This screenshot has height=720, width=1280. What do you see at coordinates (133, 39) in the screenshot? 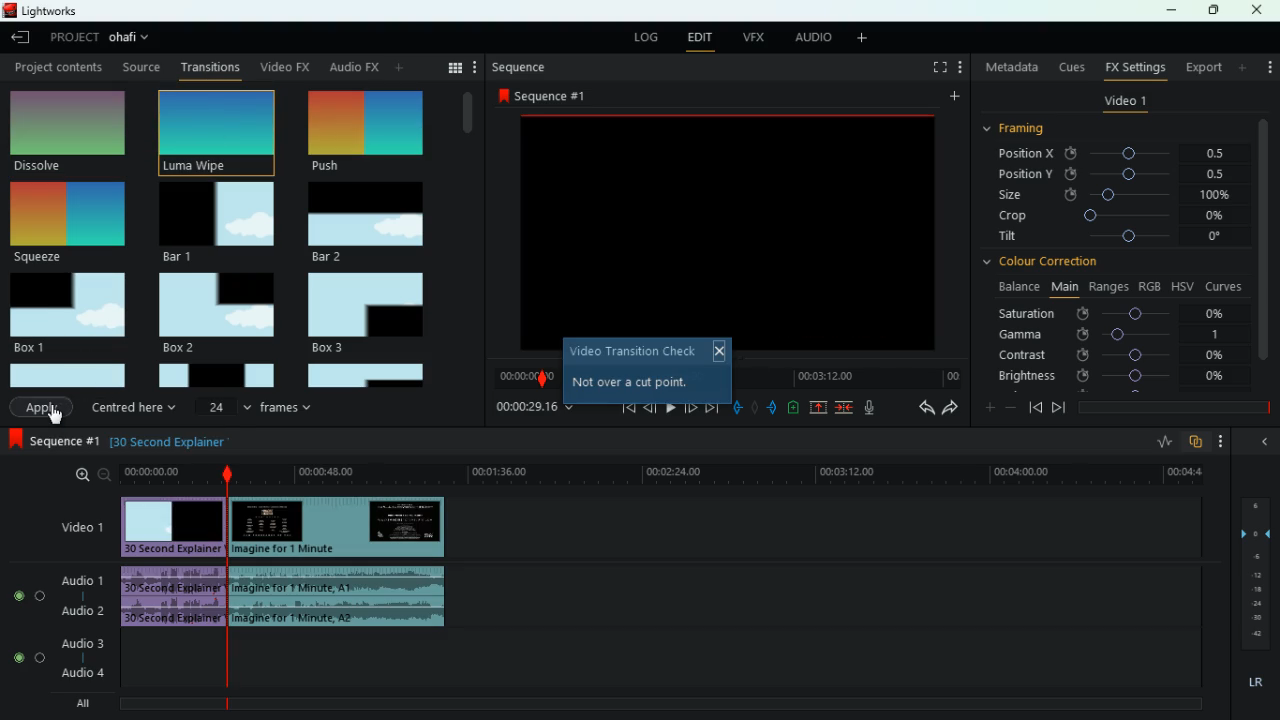
I see `project name` at bounding box center [133, 39].